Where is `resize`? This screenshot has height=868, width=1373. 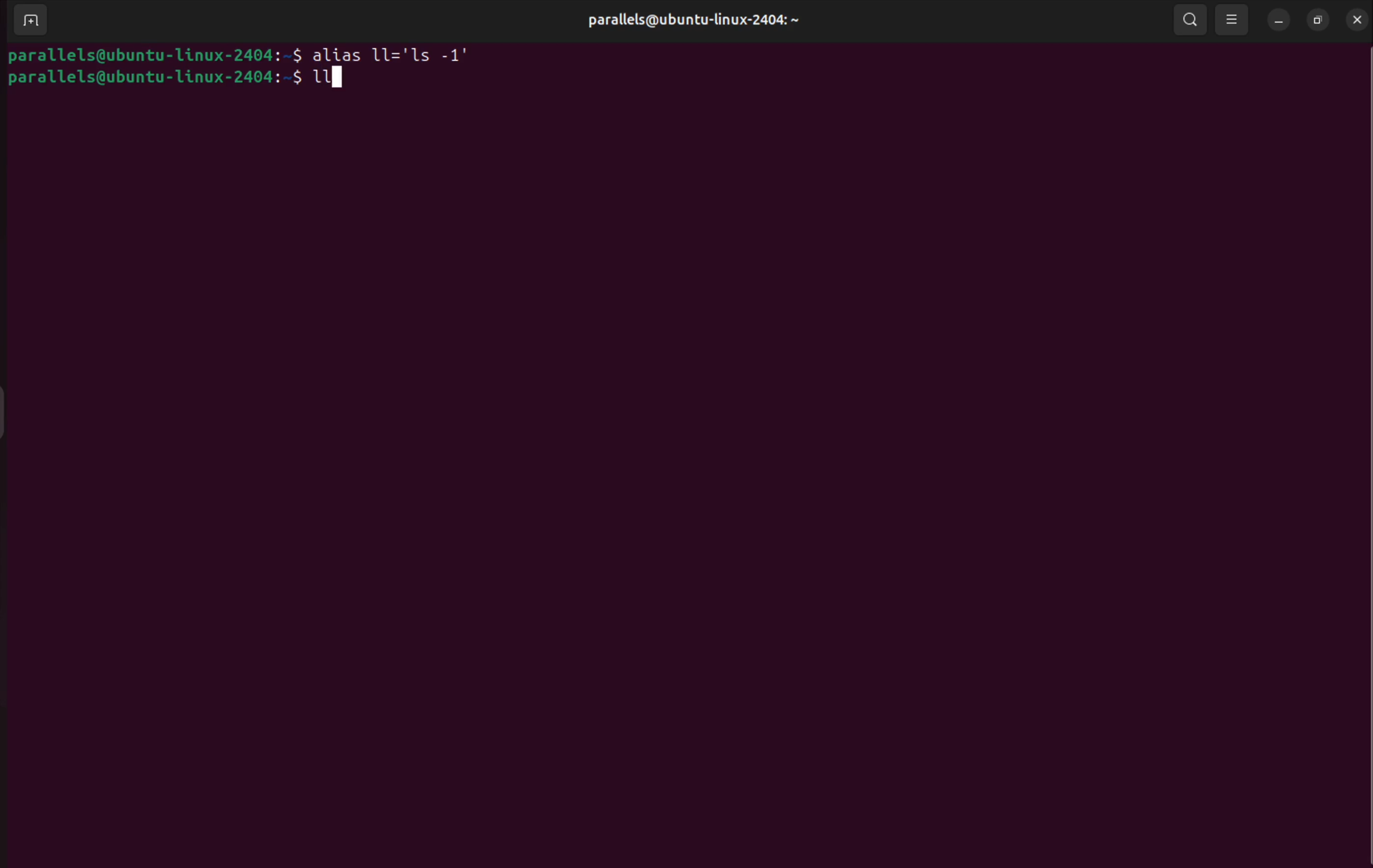 resize is located at coordinates (1316, 22).